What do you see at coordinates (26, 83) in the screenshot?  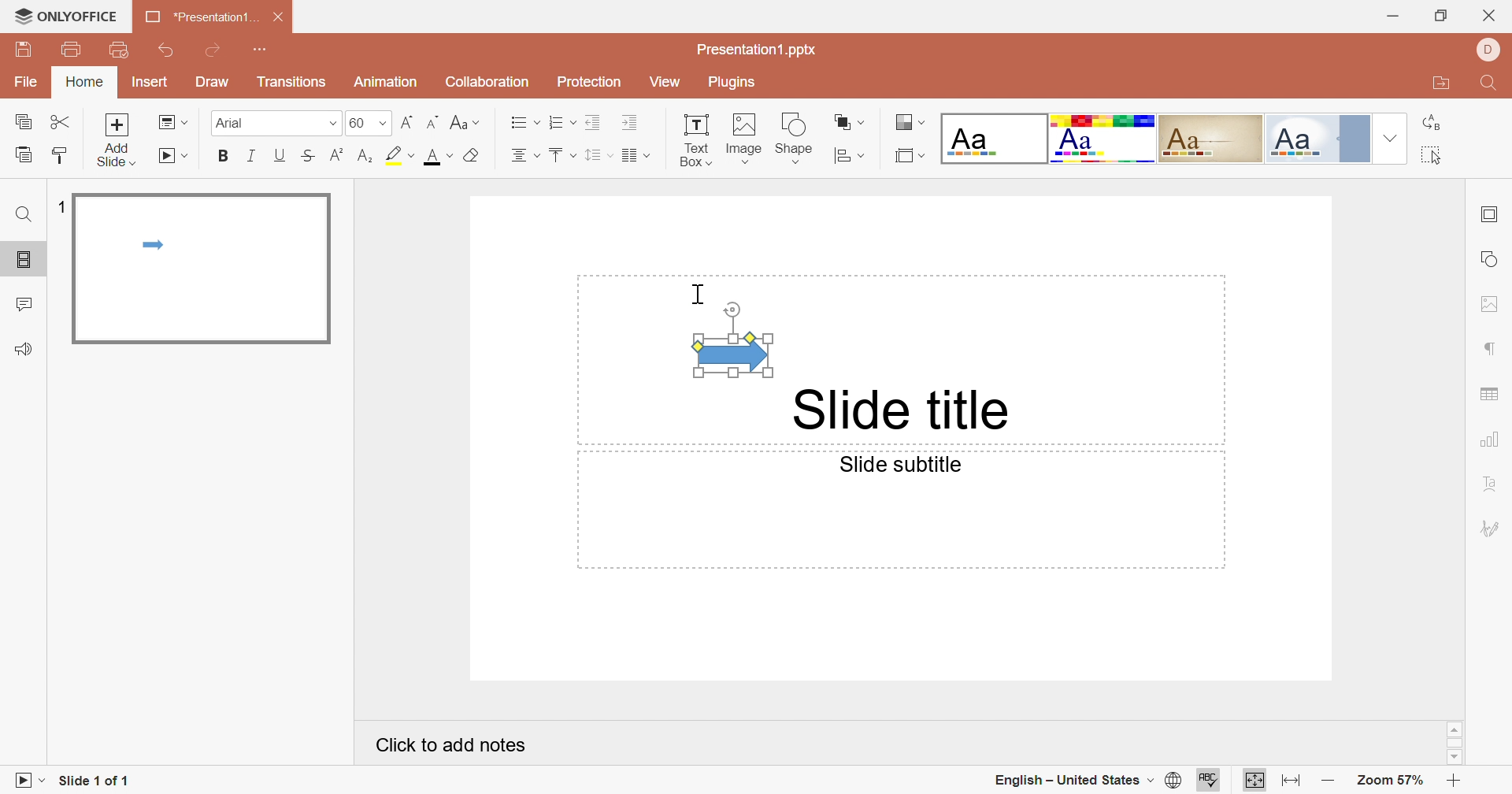 I see `File` at bounding box center [26, 83].